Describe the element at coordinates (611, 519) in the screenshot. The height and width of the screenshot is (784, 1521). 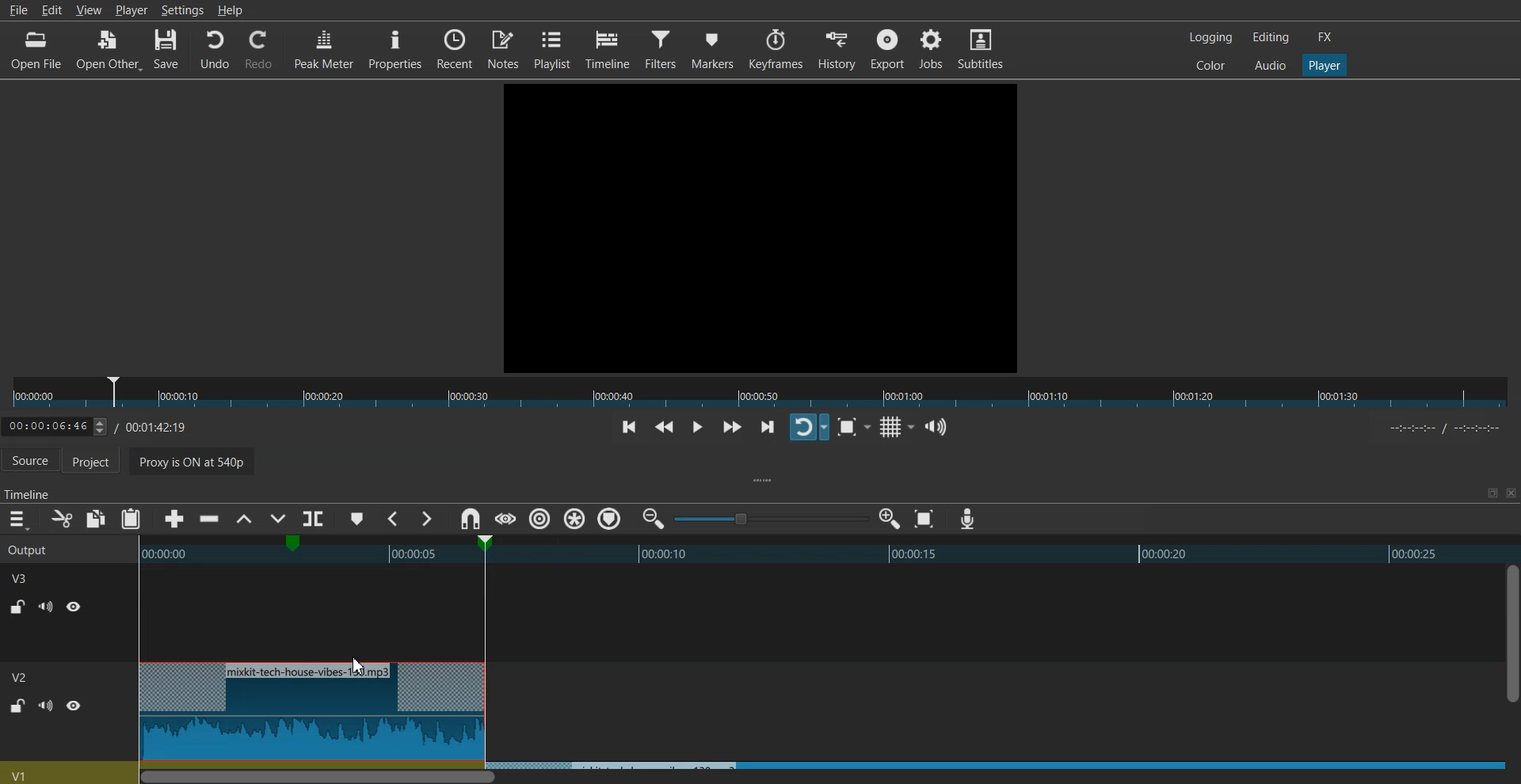
I see `Ripple Tracks` at that location.